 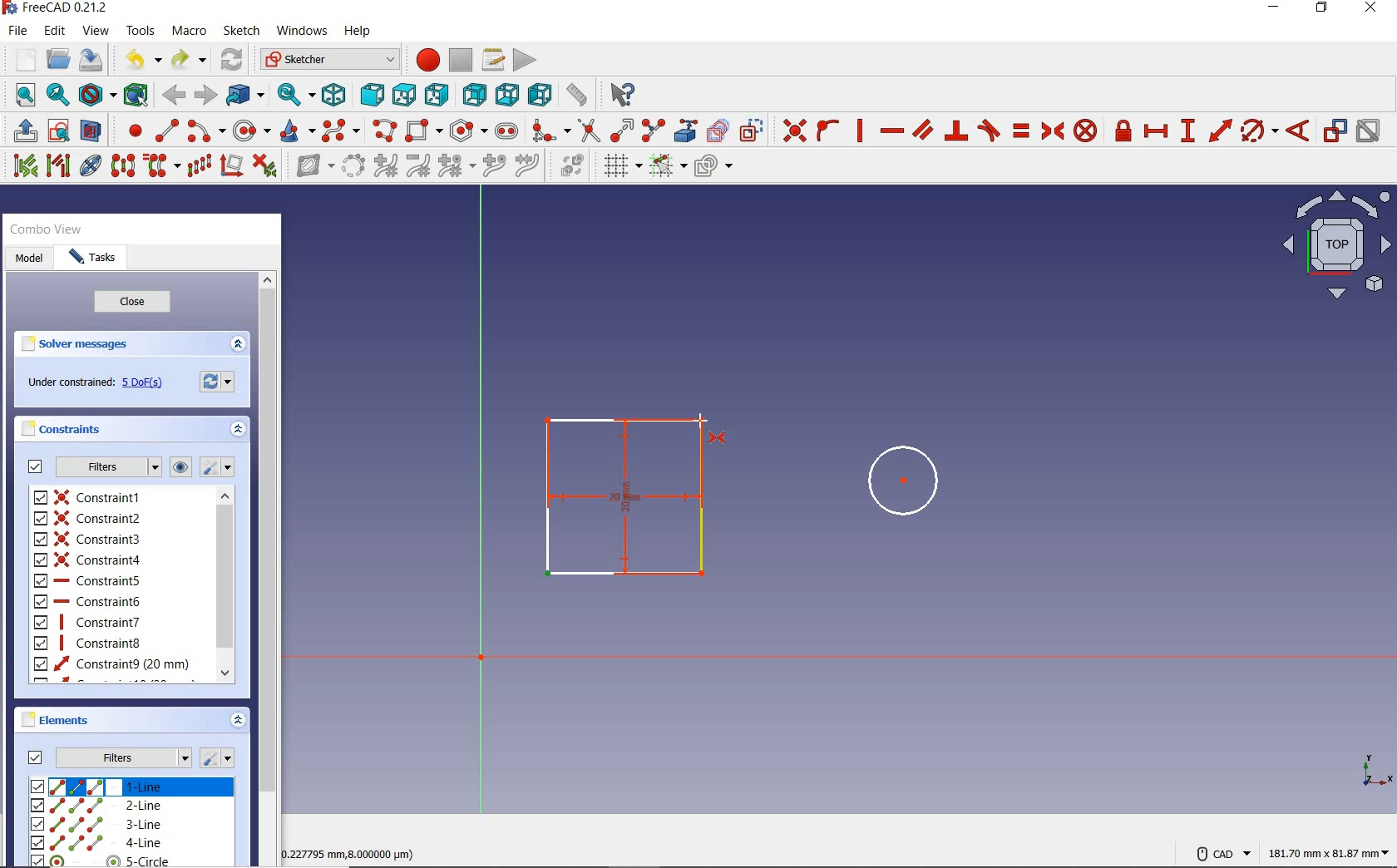 What do you see at coordinates (89, 560) in the screenshot?
I see `constraint4` at bounding box center [89, 560].